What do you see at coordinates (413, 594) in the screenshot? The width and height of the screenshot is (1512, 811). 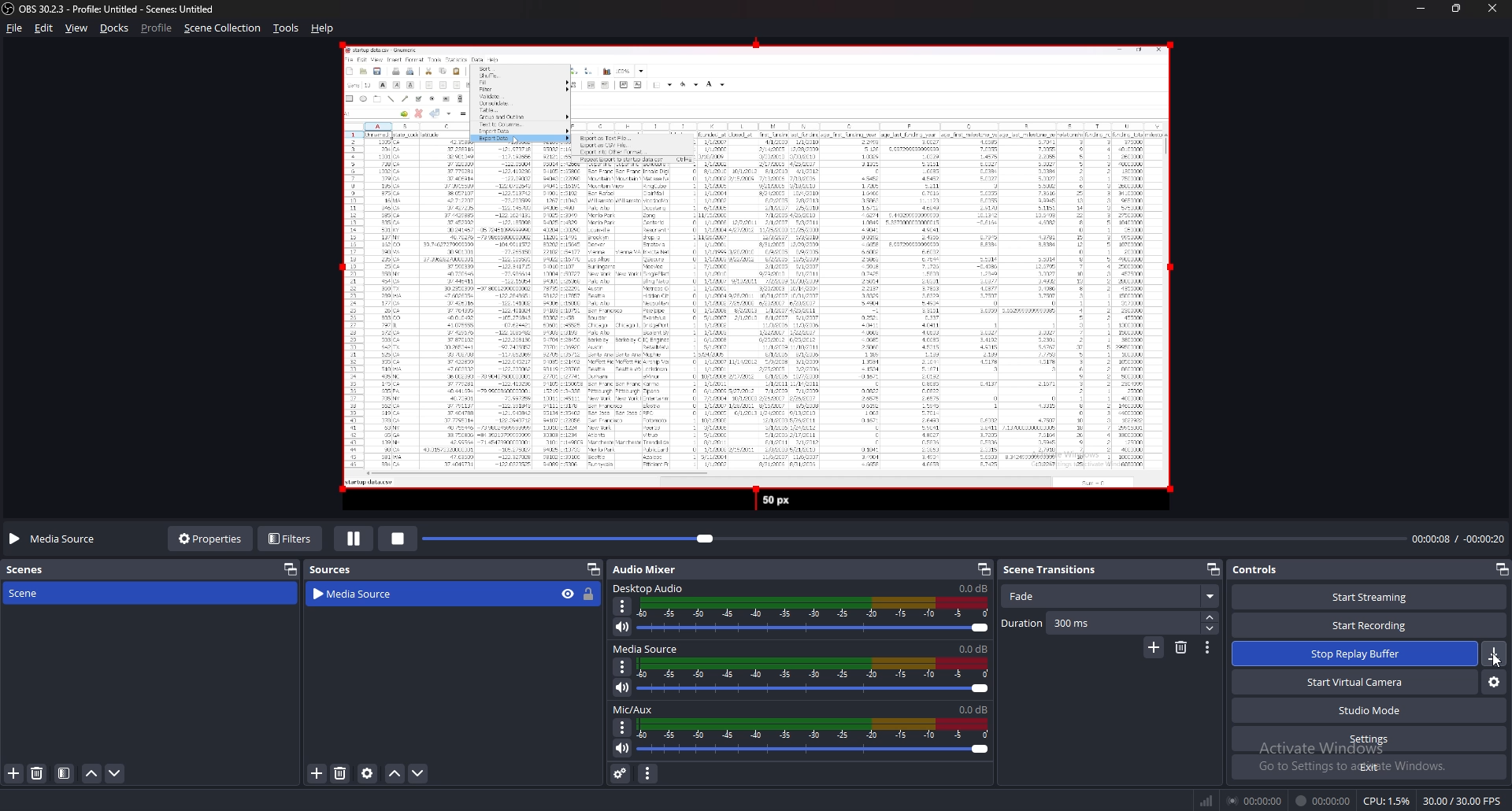 I see `media source` at bounding box center [413, 594].